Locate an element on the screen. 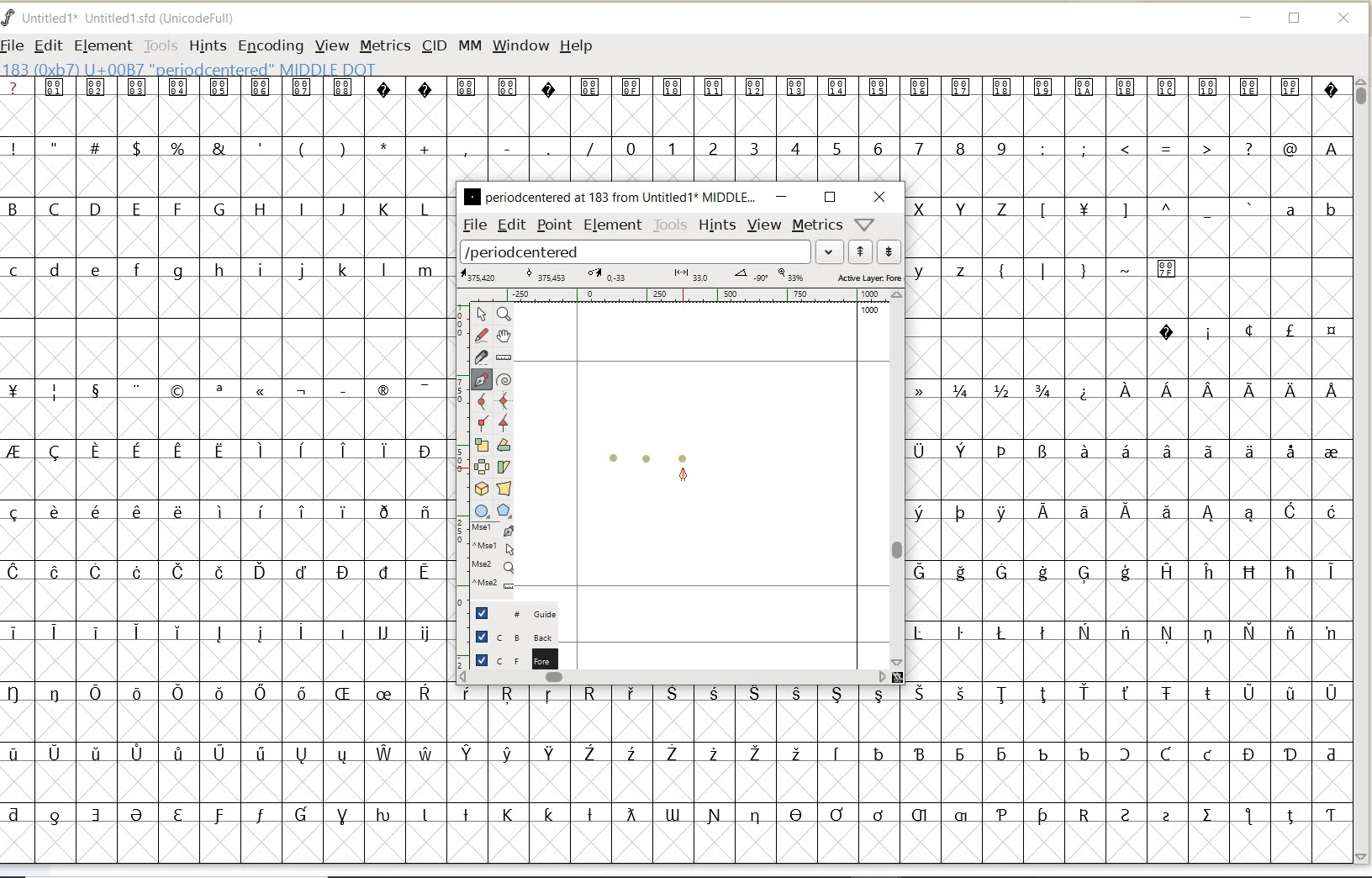 The image size is (1372, 878). EDIT is located at coordinates (48, 47).